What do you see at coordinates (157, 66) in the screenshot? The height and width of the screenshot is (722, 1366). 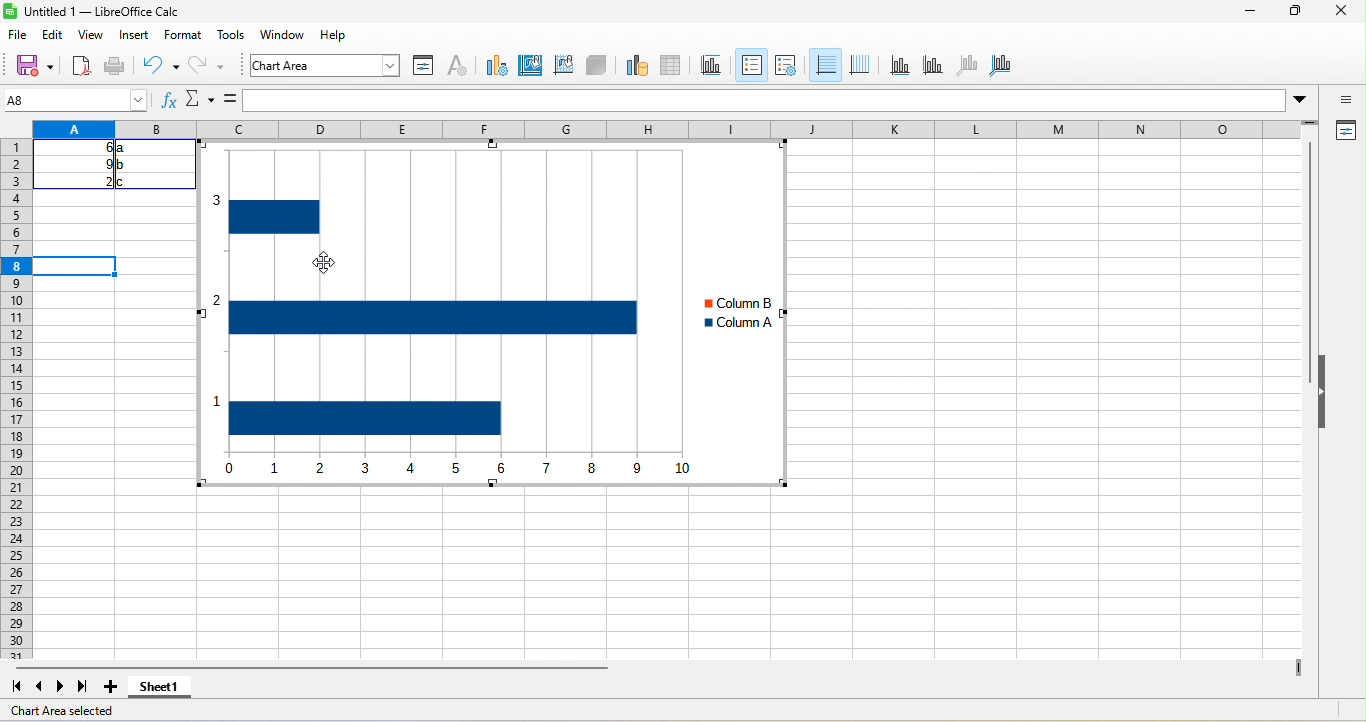 I see `undo` at bounding box center [157, 66].